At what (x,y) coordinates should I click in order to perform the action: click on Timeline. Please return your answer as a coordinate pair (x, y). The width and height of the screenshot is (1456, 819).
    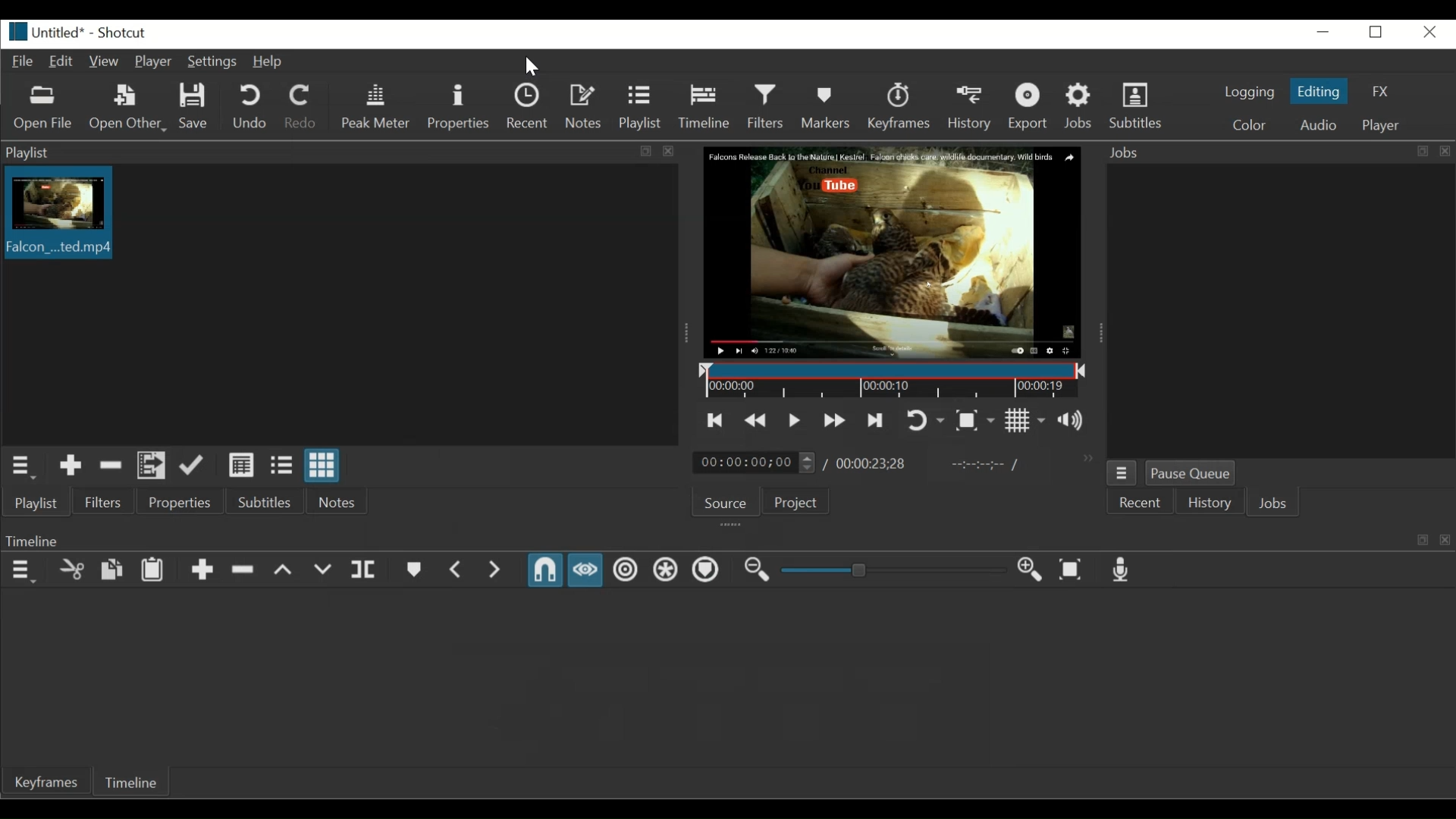
    Looking at the image, I should click on (889, 379).